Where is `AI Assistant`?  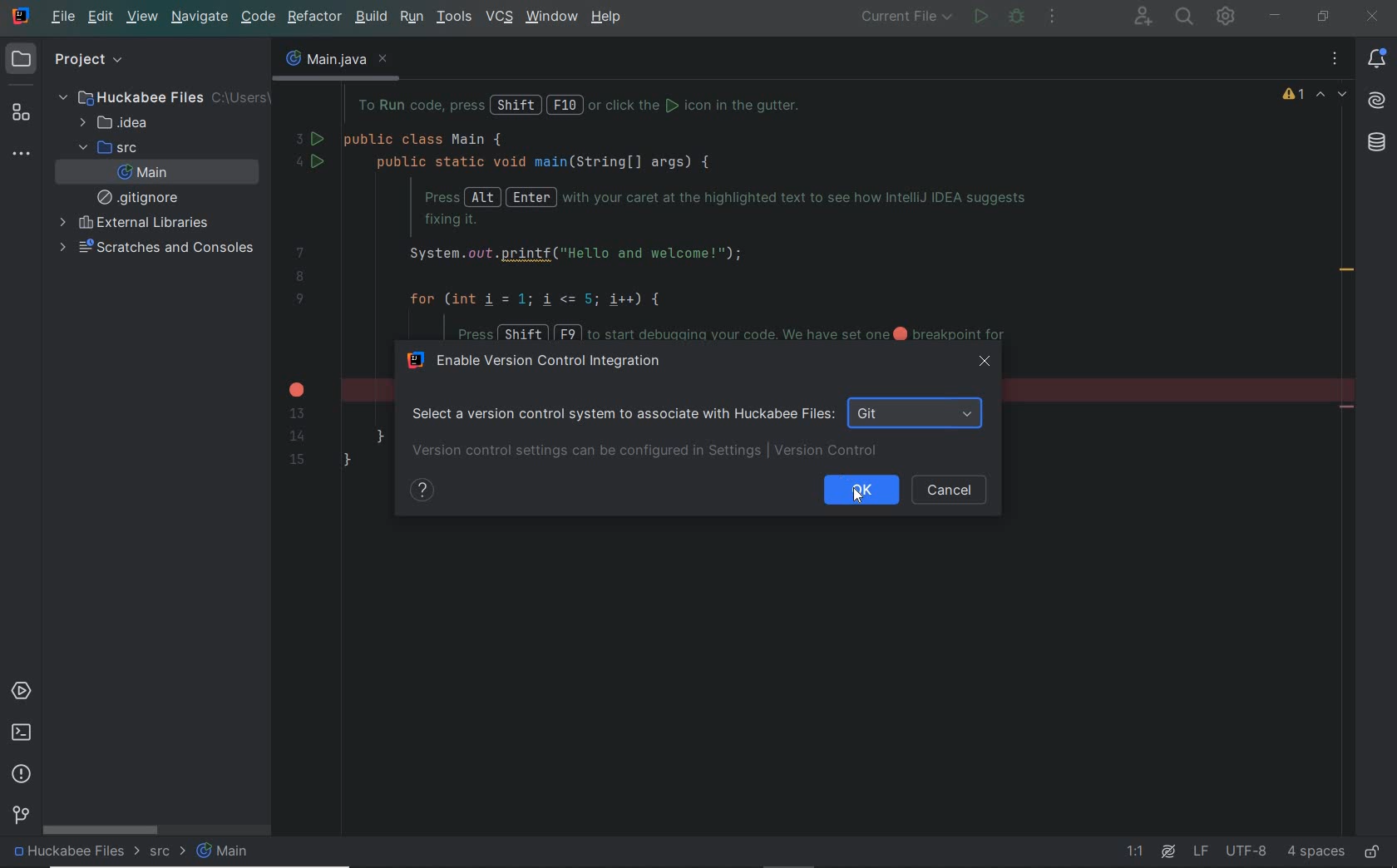
AI Assistant is located at coordinates (1377, 101).